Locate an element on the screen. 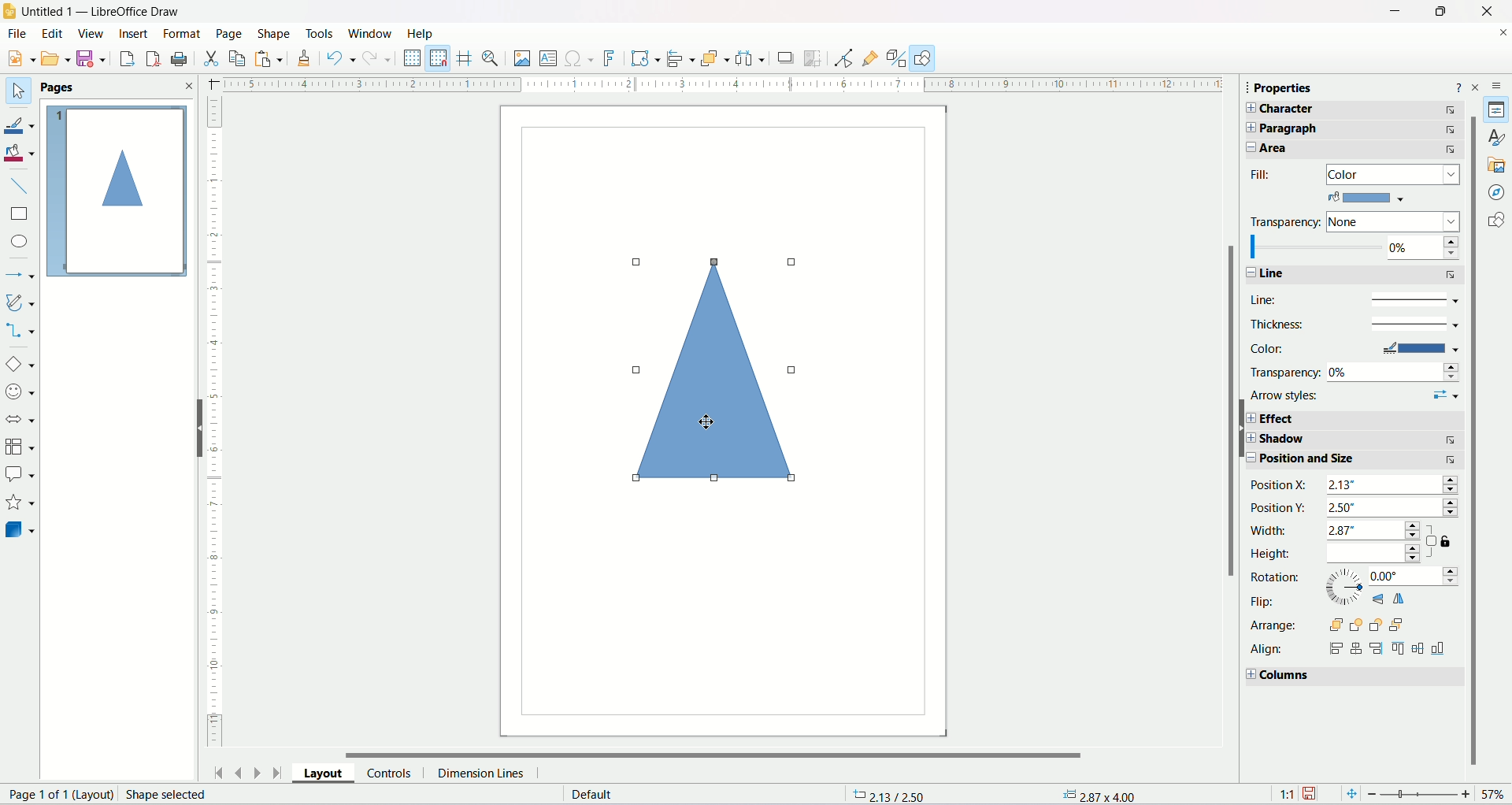 This screenshot has width=1512, height=805. Transformations is located at coordinates (646, 58).